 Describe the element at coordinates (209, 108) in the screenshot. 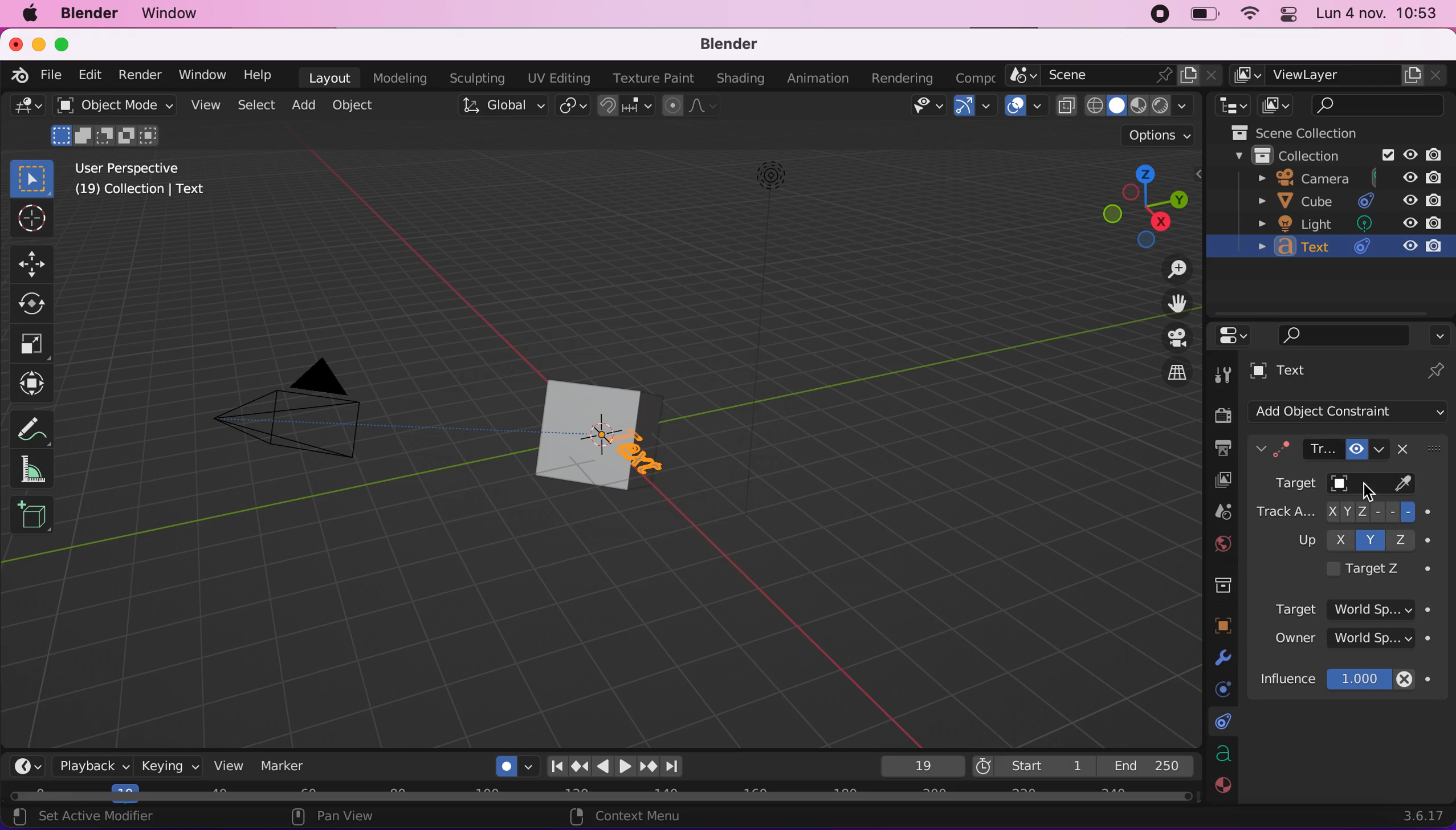

I see `view` at that location.